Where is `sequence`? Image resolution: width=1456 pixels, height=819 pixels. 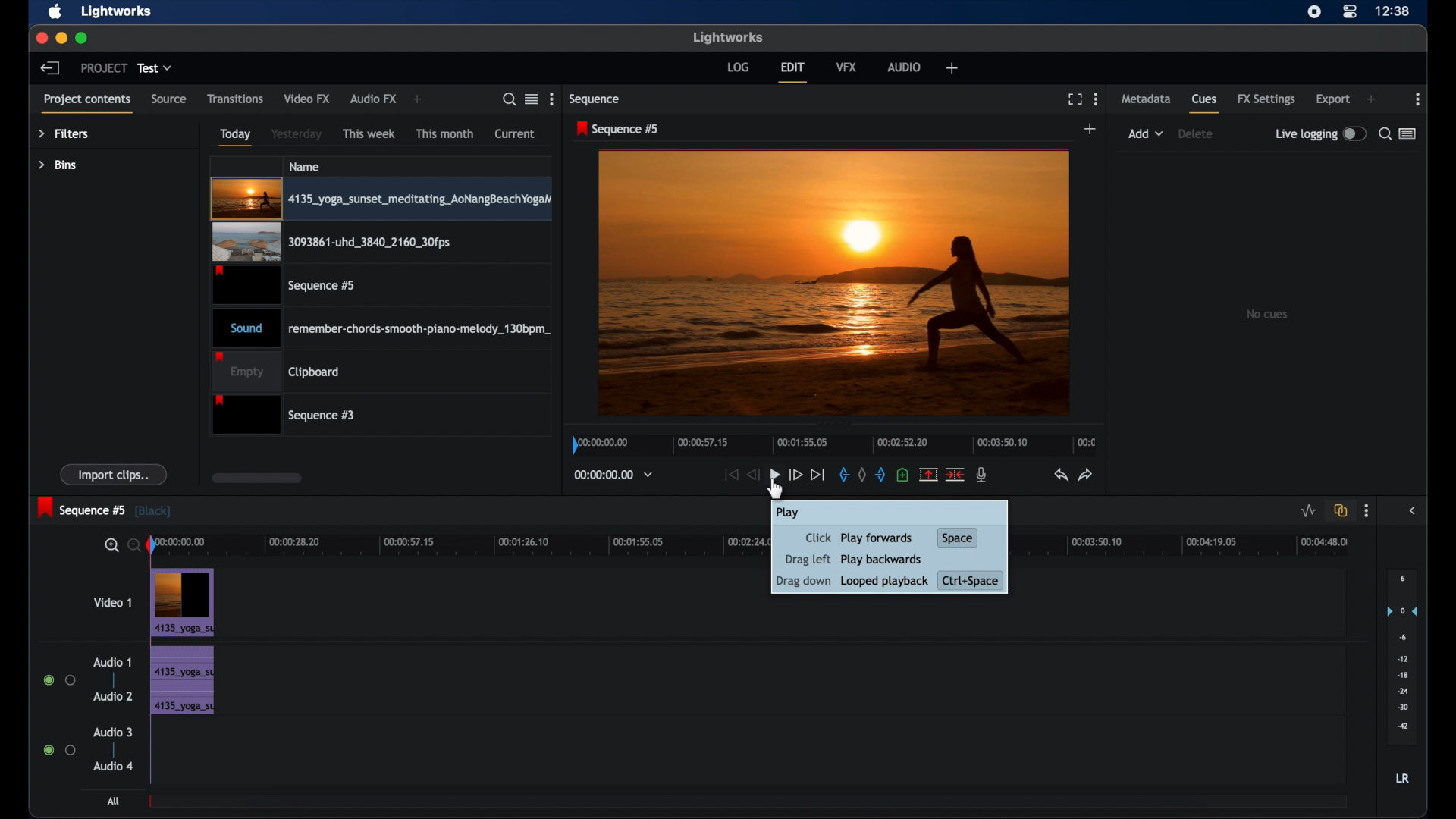
sequence is located at coordinates (617, 128).